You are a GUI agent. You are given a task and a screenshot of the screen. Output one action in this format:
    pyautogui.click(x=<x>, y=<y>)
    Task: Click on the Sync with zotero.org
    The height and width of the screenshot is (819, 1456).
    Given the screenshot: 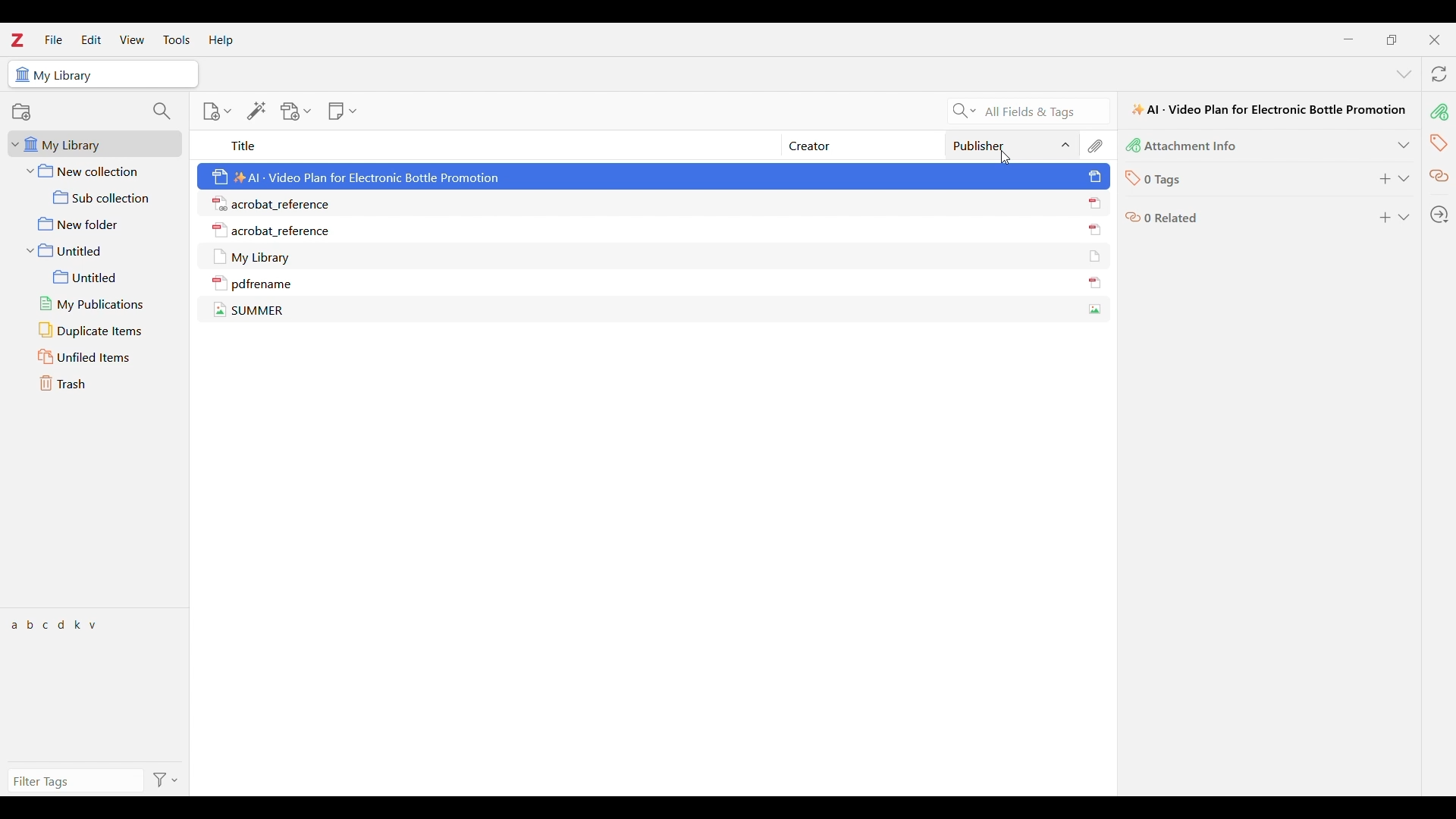 What is the action you would take?
    pyautogui.click(x=1439, y=74)
    